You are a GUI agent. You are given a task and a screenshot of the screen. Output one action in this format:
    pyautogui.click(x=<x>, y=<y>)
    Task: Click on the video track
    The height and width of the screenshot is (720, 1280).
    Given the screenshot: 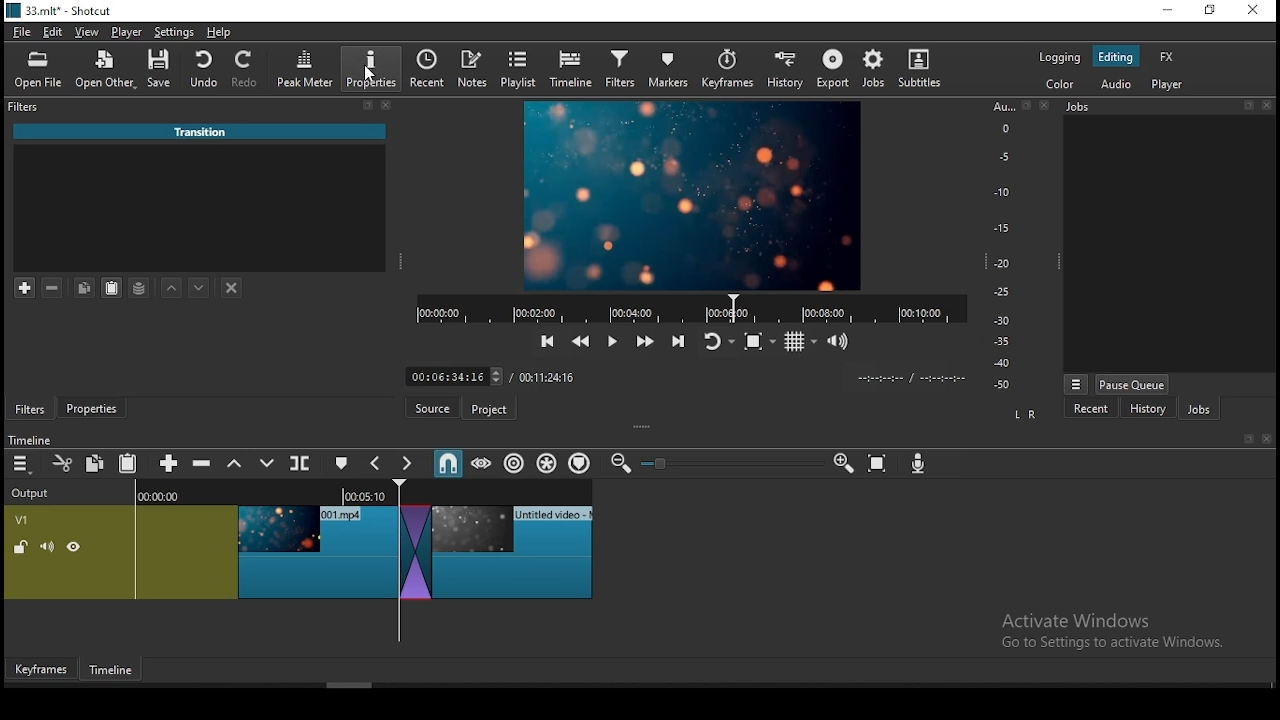 What is the action you would take?
    pyautogui.click(x=298, y=547)
    